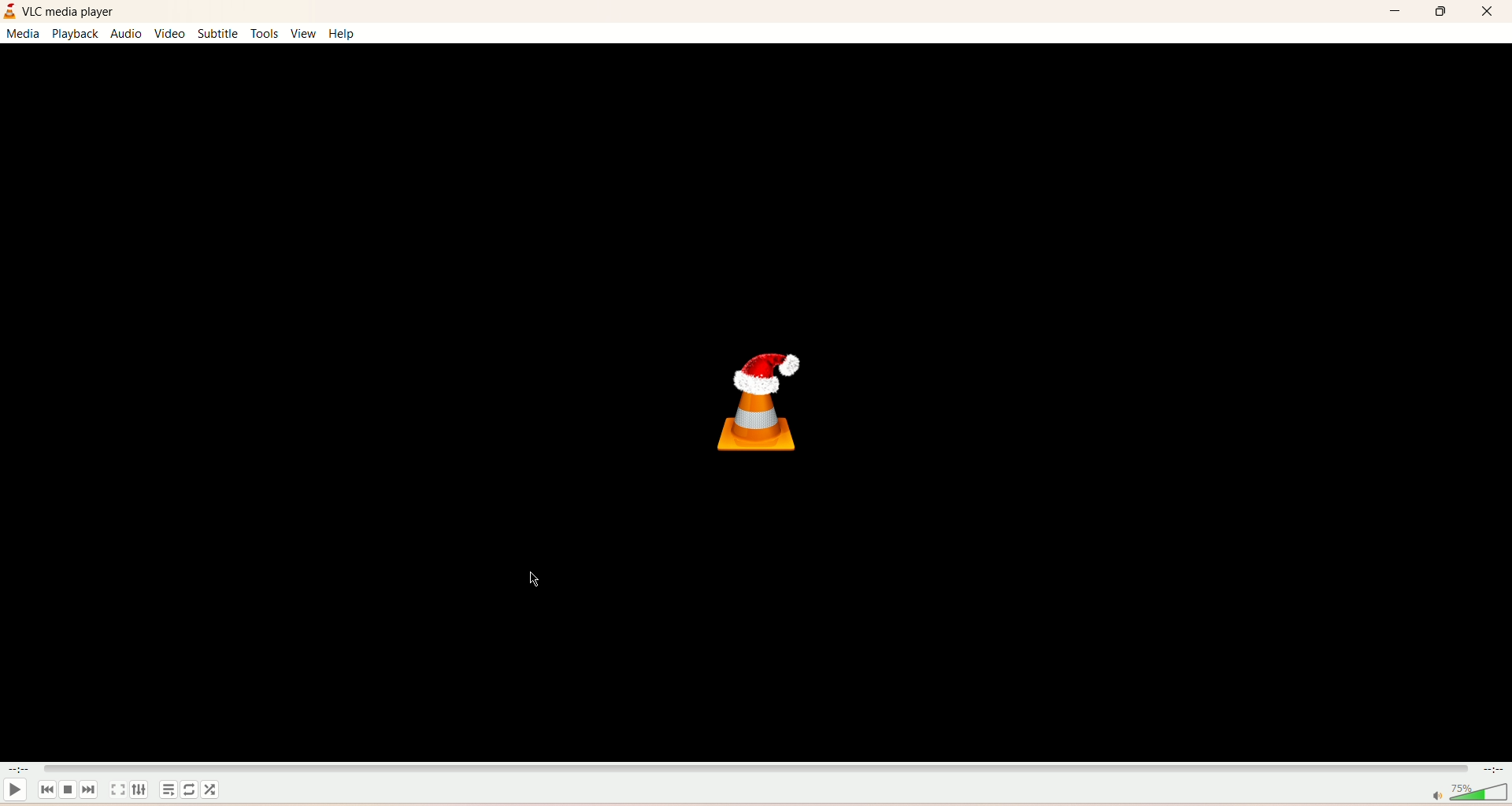  I want to click on minimize, so click(1396, 13).